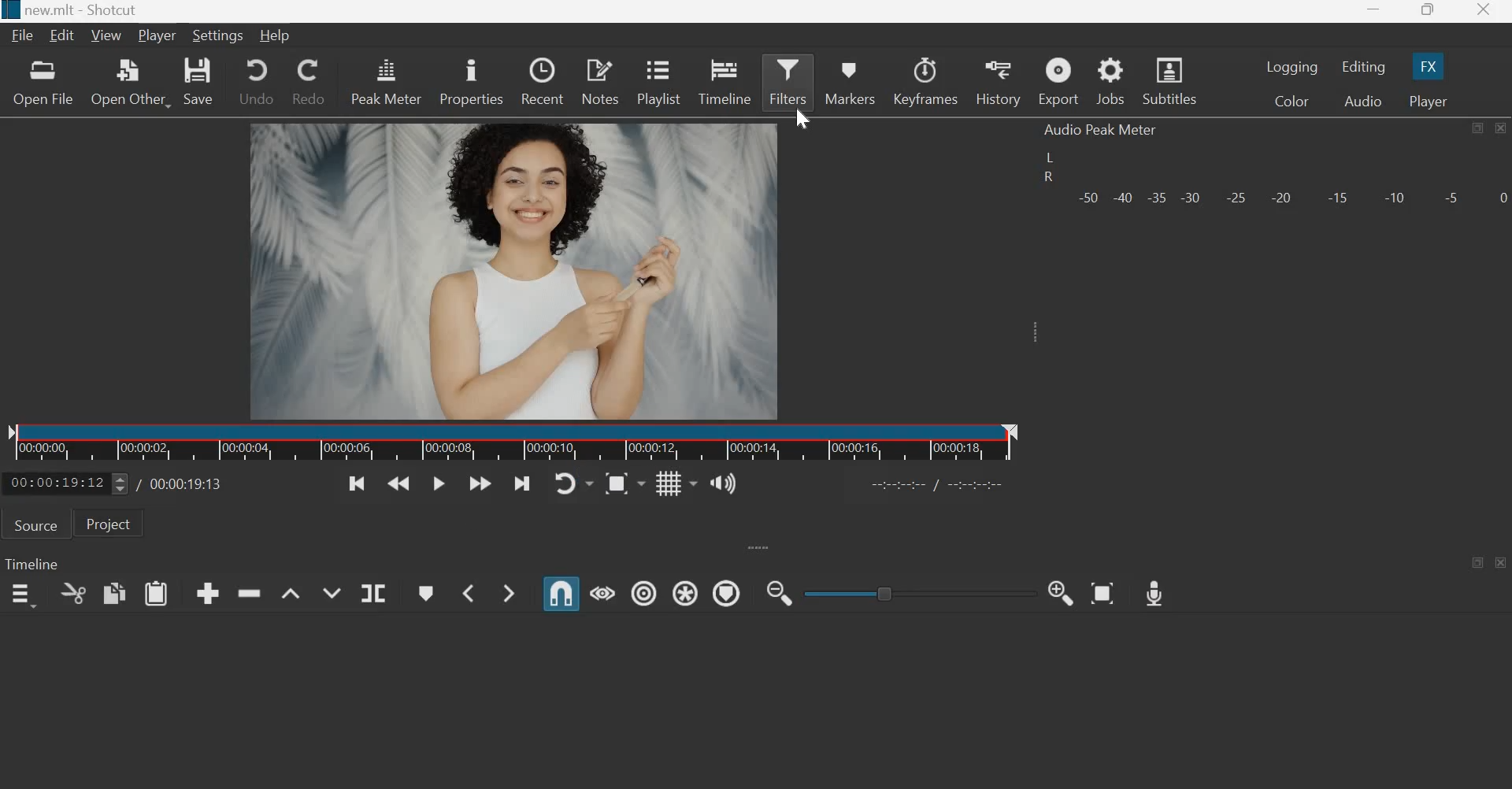 This screenshot has width=1512, height=789. What do you see at coordinates (1058, 83) in the screenshot?
I see `Export` at bounding box center [1058, 83].